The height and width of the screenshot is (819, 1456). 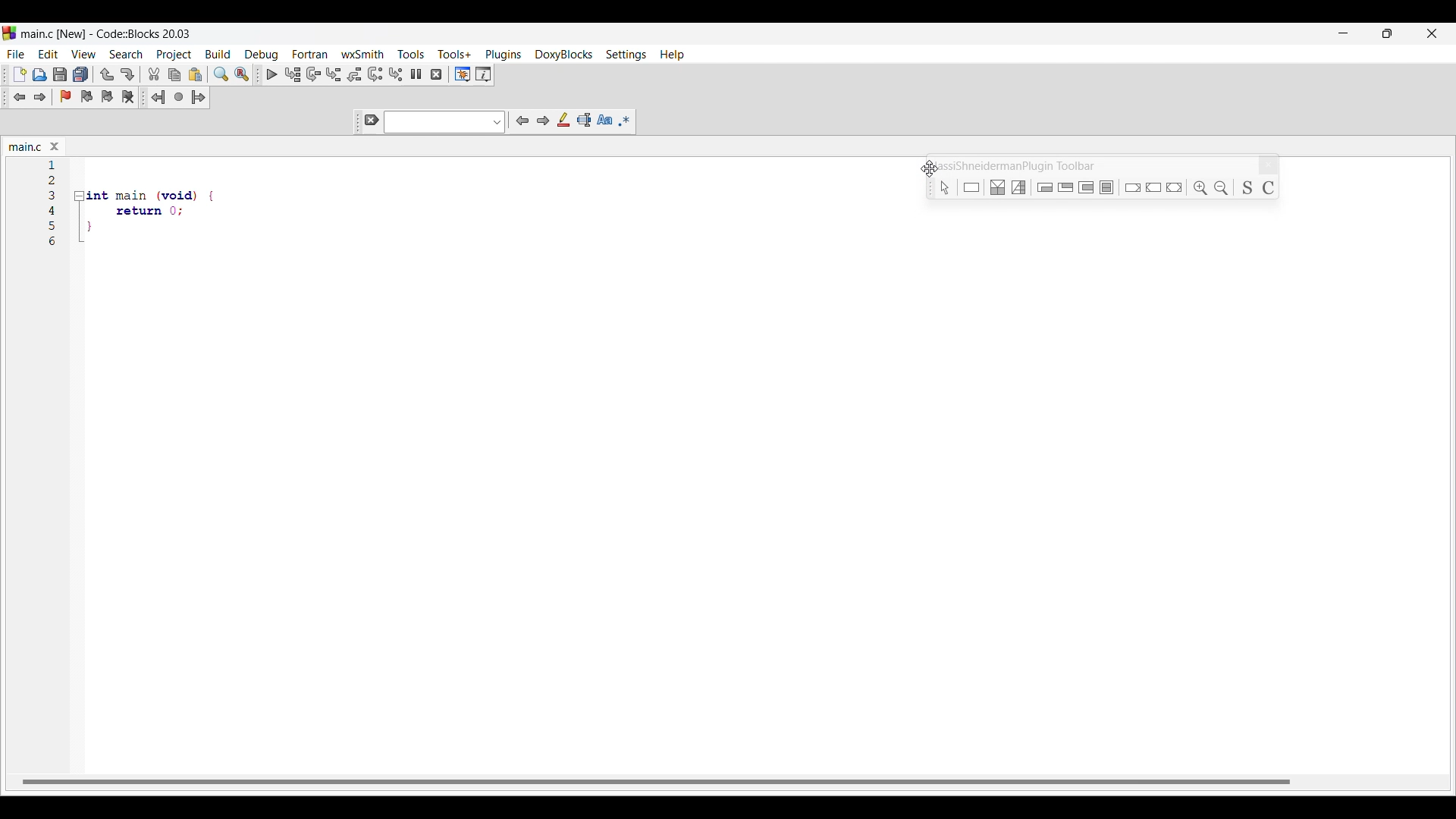 I want to click on Horizontal slide bar, so click(x=656, y=781).